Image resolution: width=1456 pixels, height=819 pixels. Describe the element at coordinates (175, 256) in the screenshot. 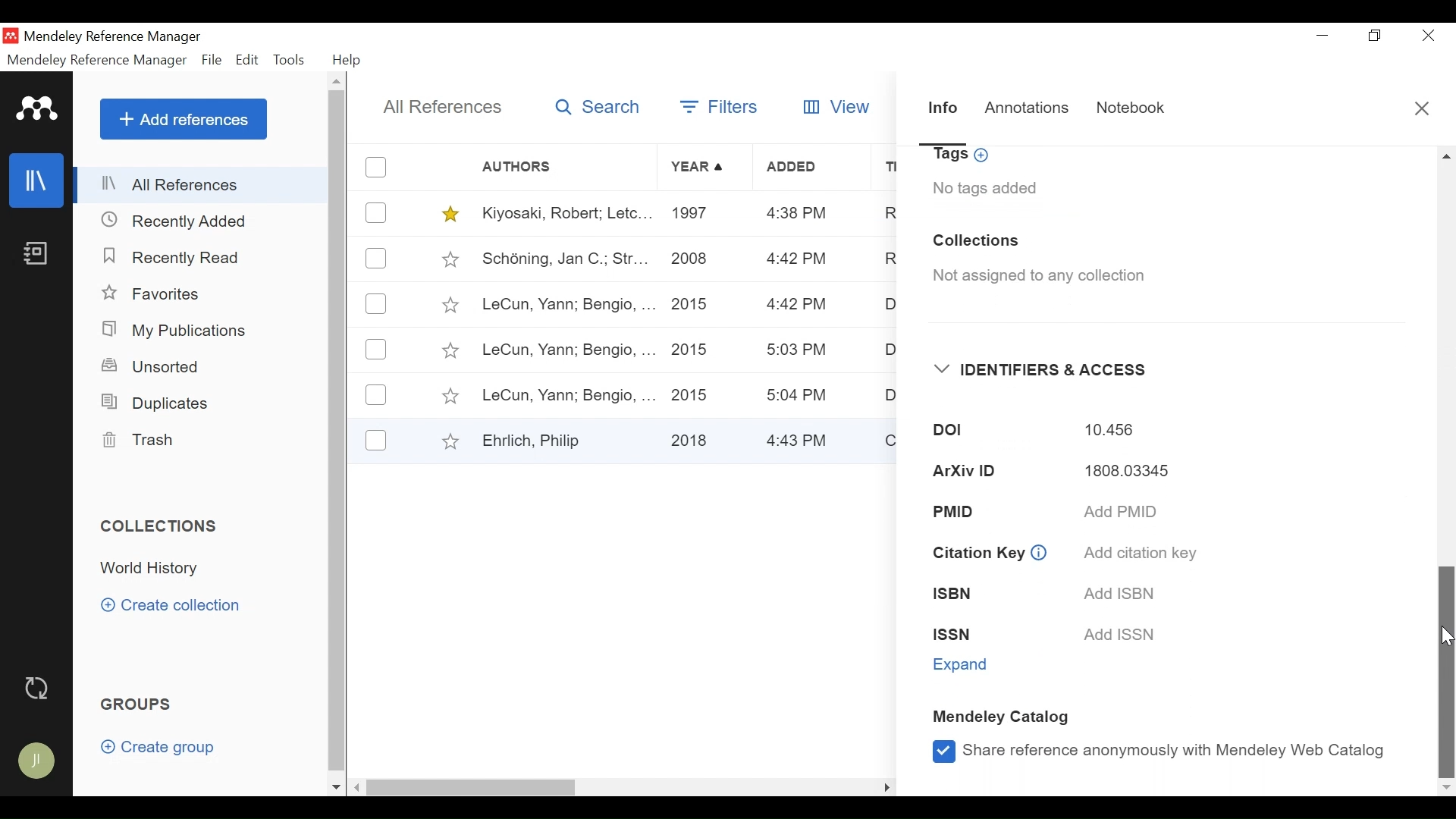

I see `Recently Added` at that location.